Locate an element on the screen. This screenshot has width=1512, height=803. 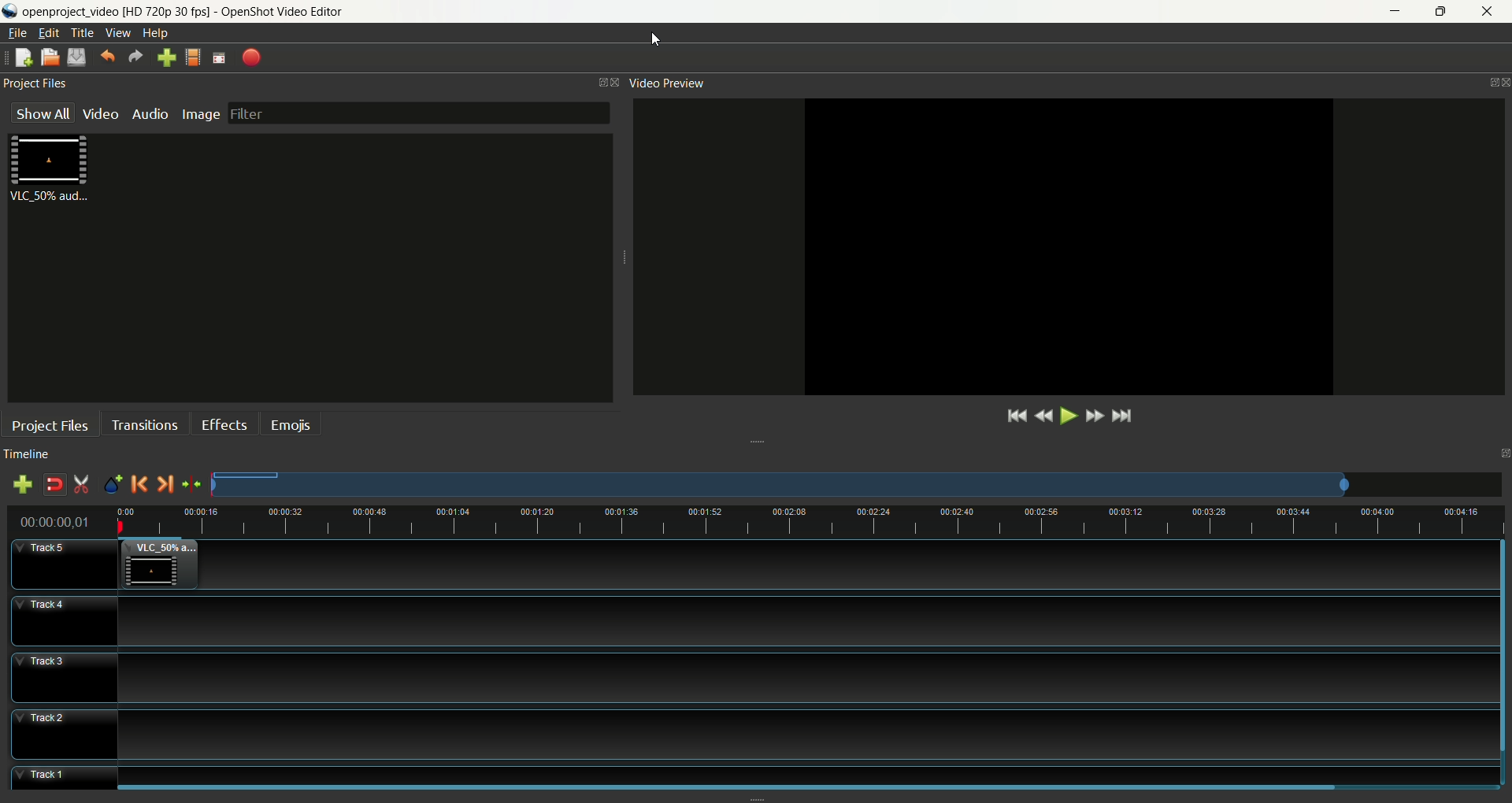
rack 2 is located at coordinates (741, 735).